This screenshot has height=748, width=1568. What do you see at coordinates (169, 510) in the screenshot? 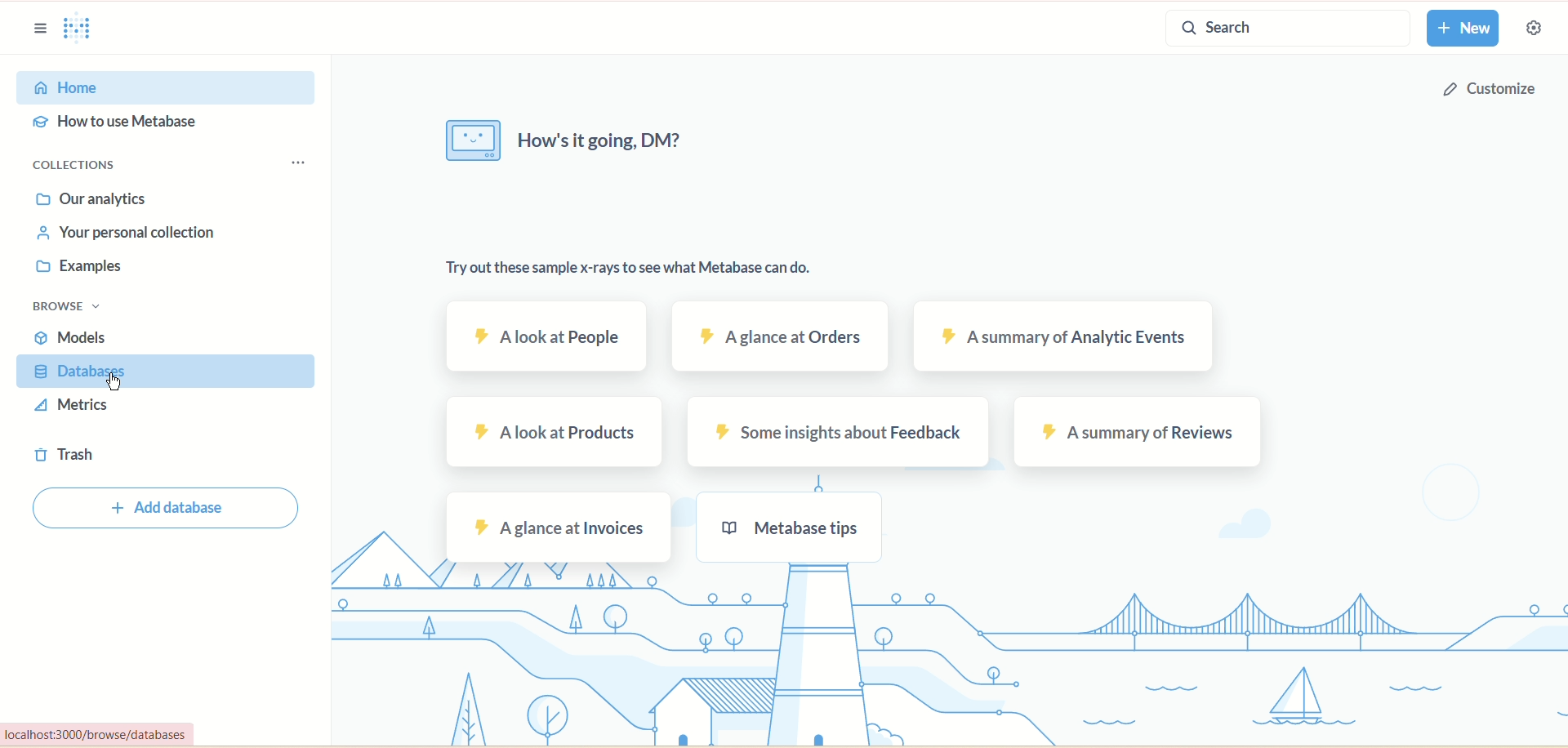
I see `add database` at bounding box center [169, 510].